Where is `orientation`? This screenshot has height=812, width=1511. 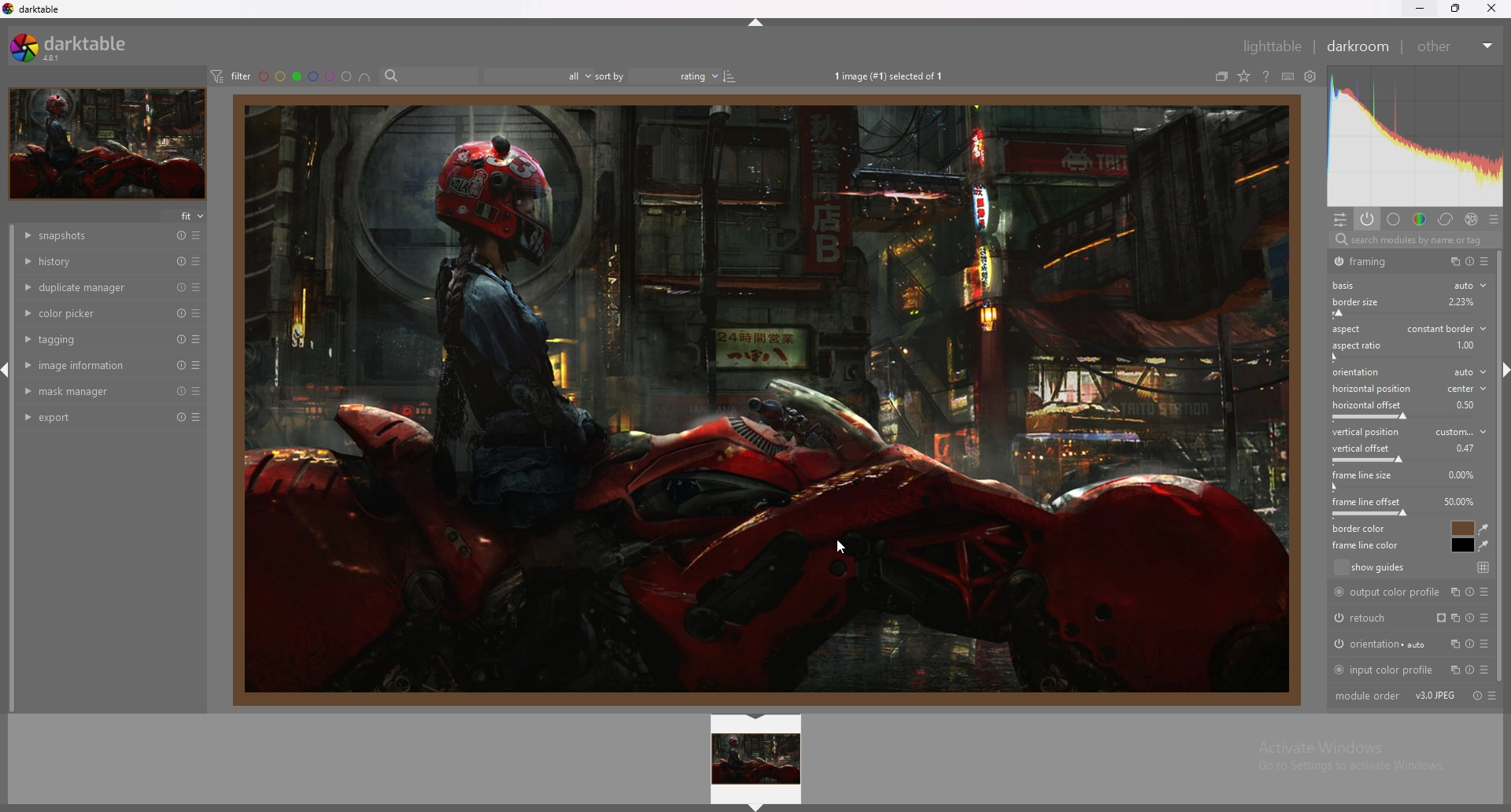
orientation is located at coordinates (1411, 373).